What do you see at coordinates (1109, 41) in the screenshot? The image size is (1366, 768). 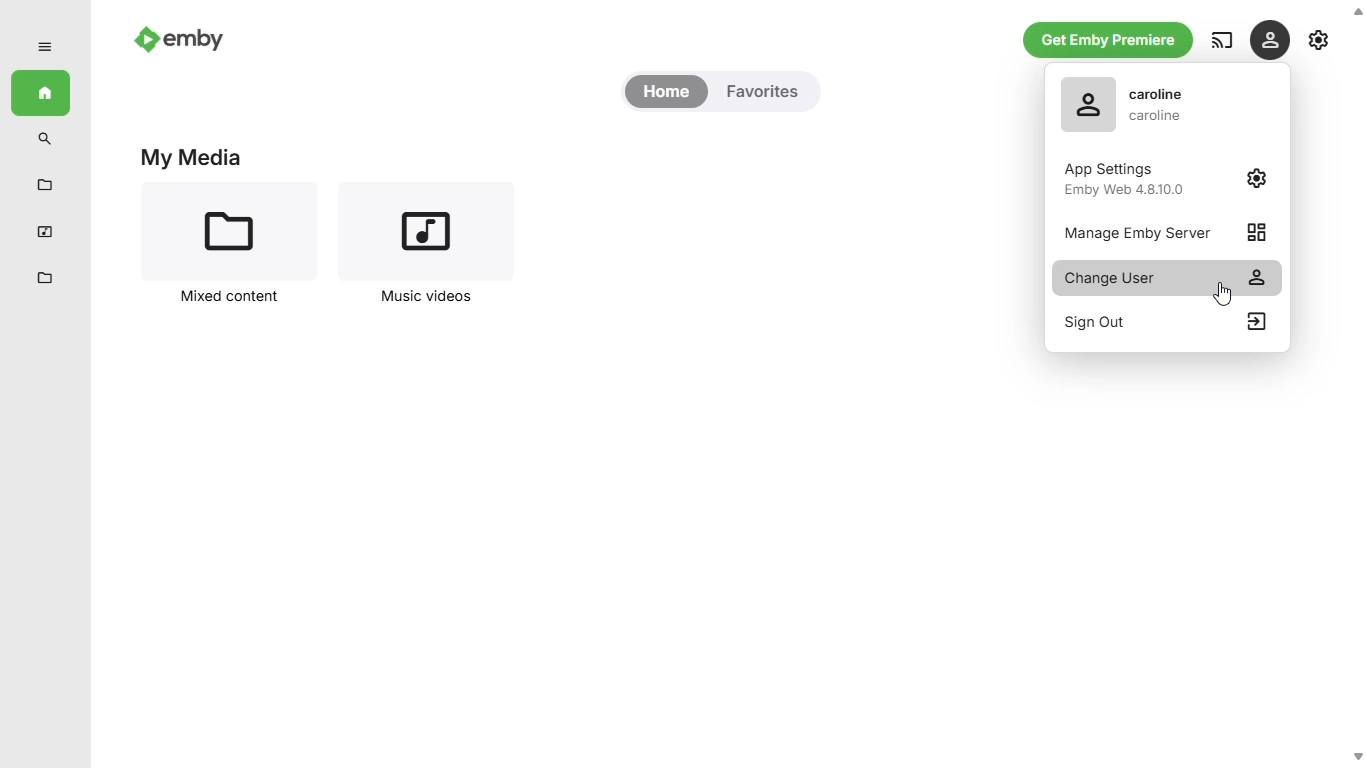 I see `get emby premiere` at bounding box center [1109, 41].